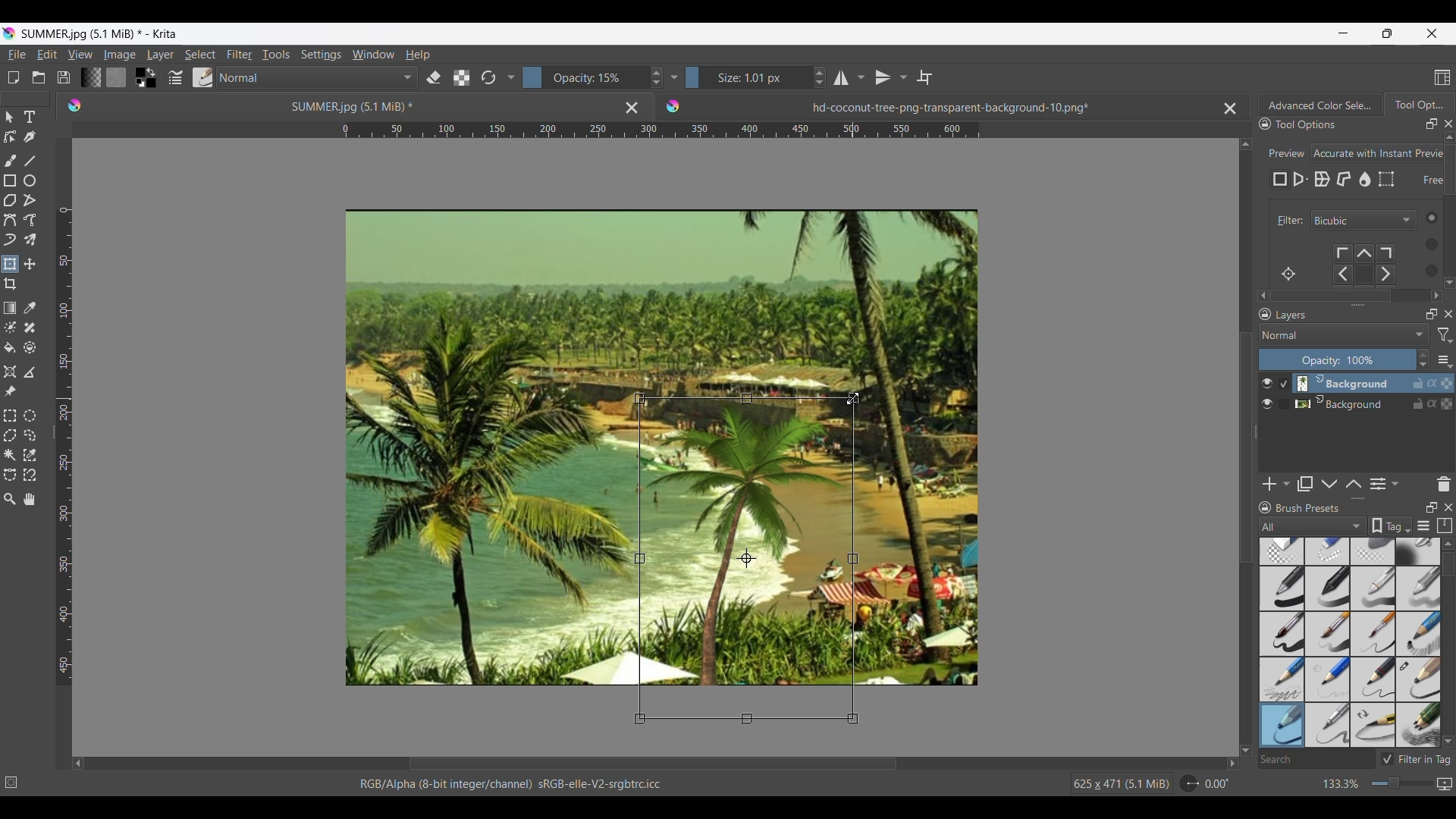 The image size is (1456, 819). Describe the element at coordinates (432, 77) in the screenshot. I see `Set eraser mode` at that location.